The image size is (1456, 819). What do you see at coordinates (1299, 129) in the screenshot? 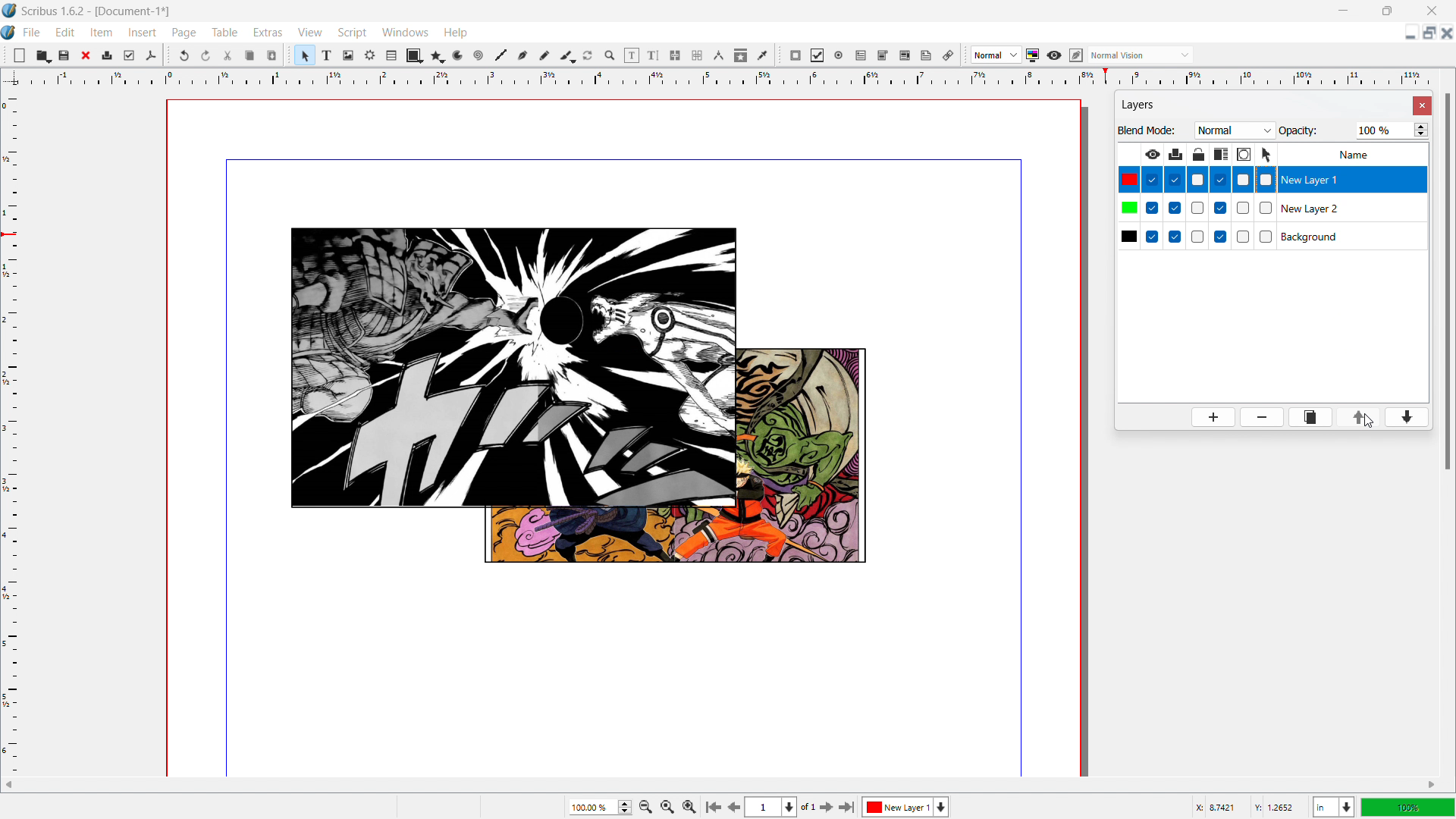
I see `Opacity` at bounding box center [1299, 129].